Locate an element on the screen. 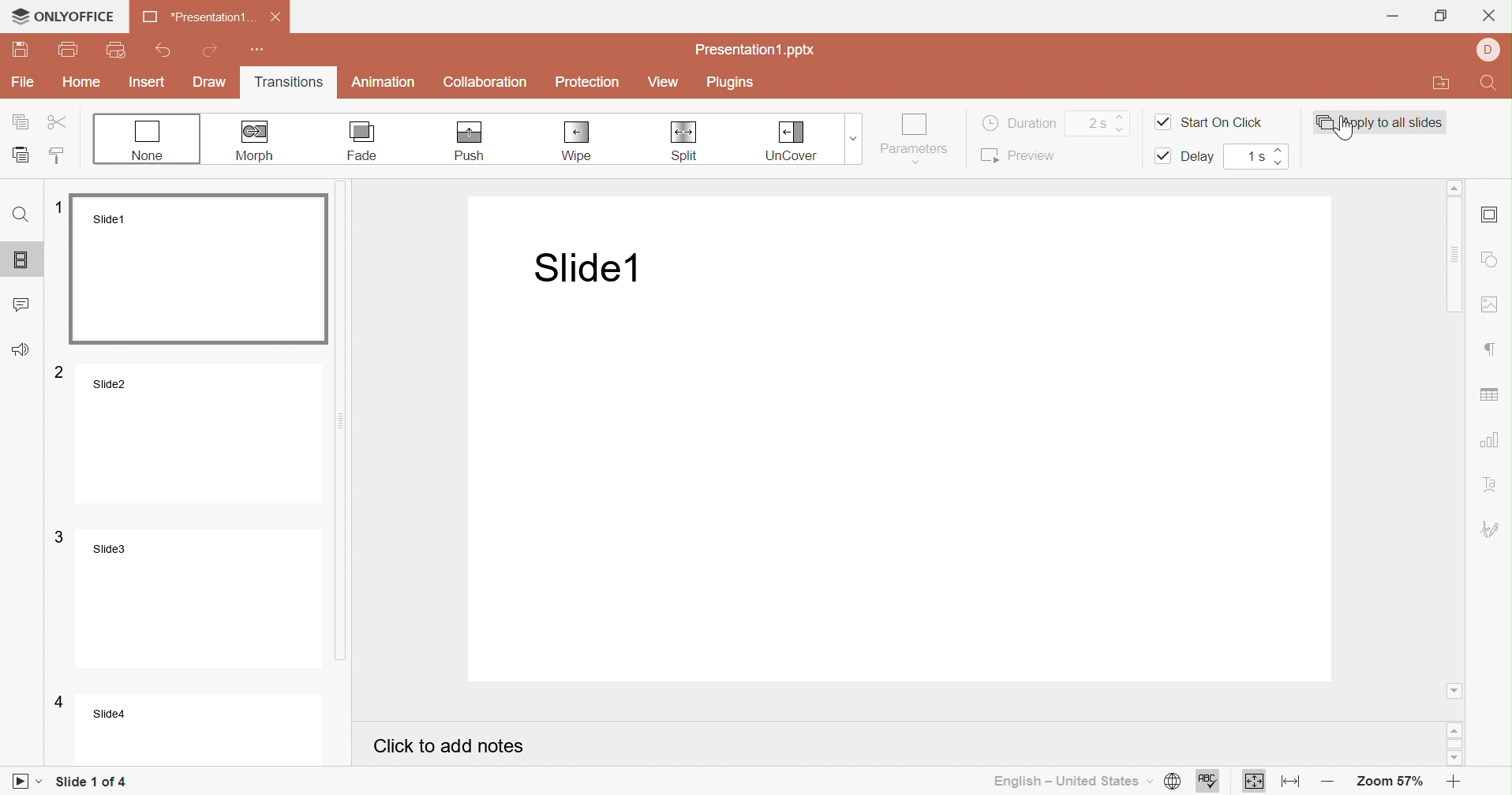 This screenshot has width=1512, height=795. Copy style is located at coordinates (58, 157).